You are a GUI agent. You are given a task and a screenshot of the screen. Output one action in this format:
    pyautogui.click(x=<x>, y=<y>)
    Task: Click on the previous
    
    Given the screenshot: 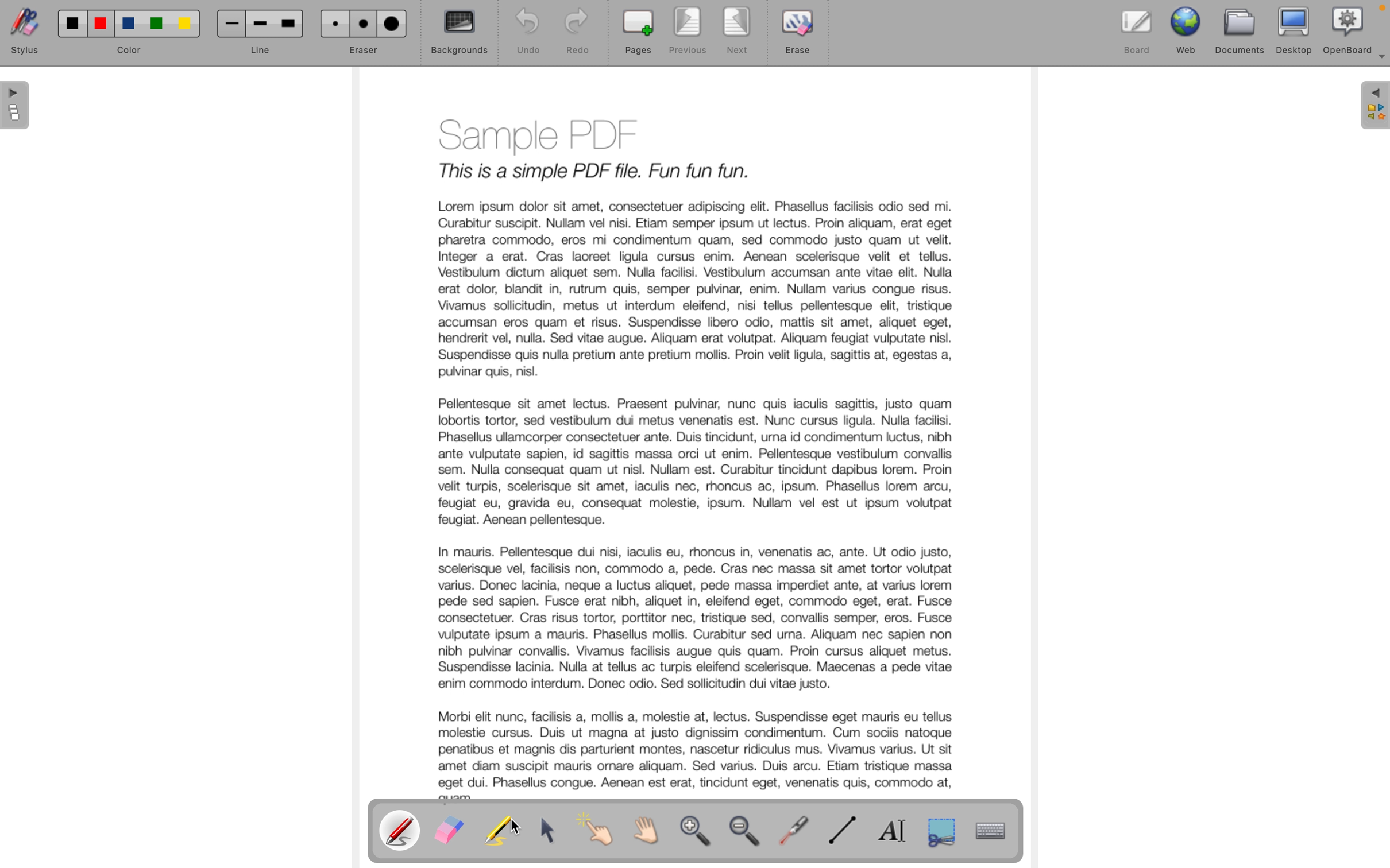 What is the action you would take?
    pyautogui.click(x=690, y=32)
    